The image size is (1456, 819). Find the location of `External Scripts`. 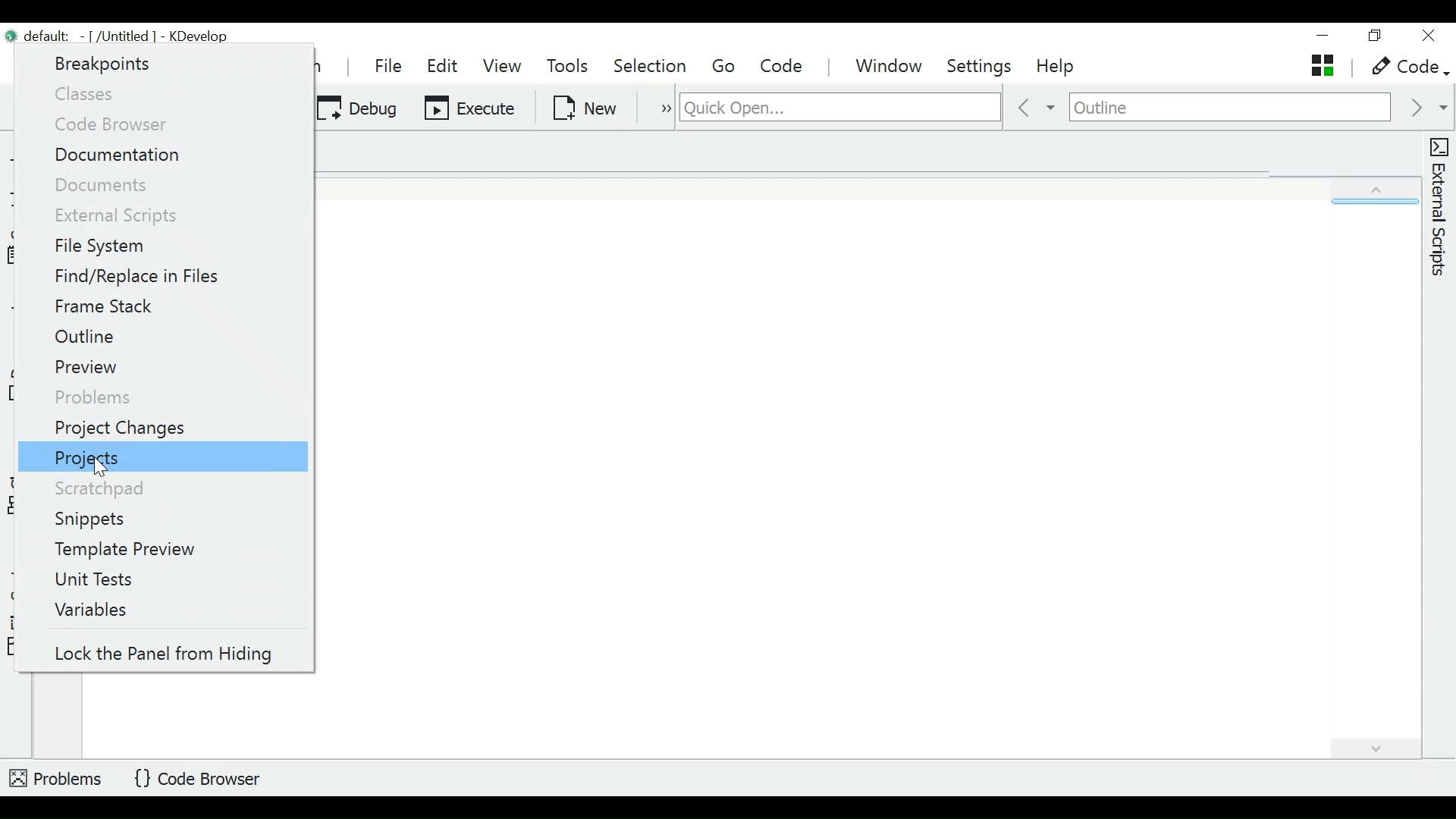

External Scripts is located at coordinates (1439, 208).